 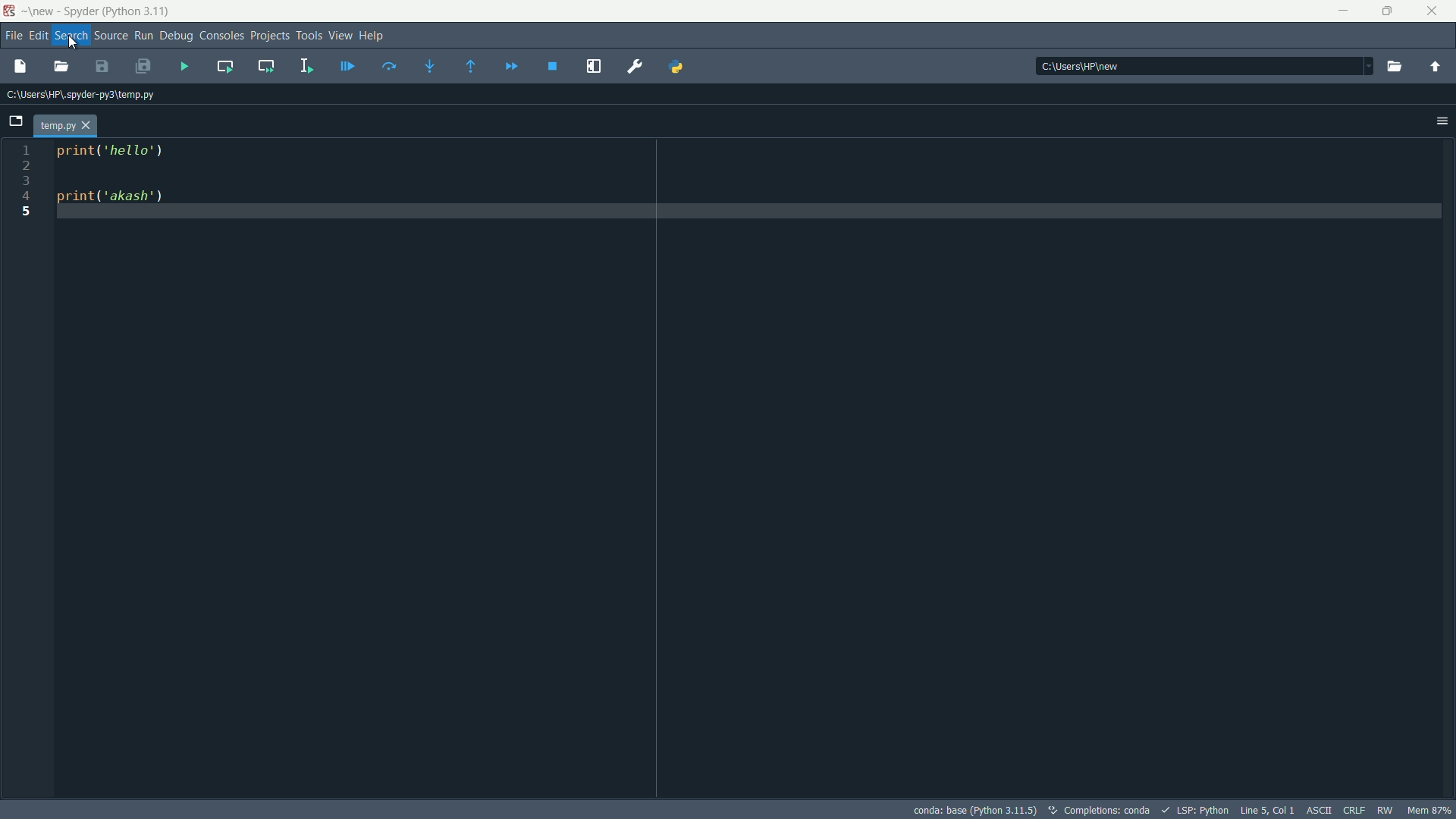 What do you see at coordinates (14, 120) in the screenshot?
I see `browse tabs` at bounding box center [14, 120].